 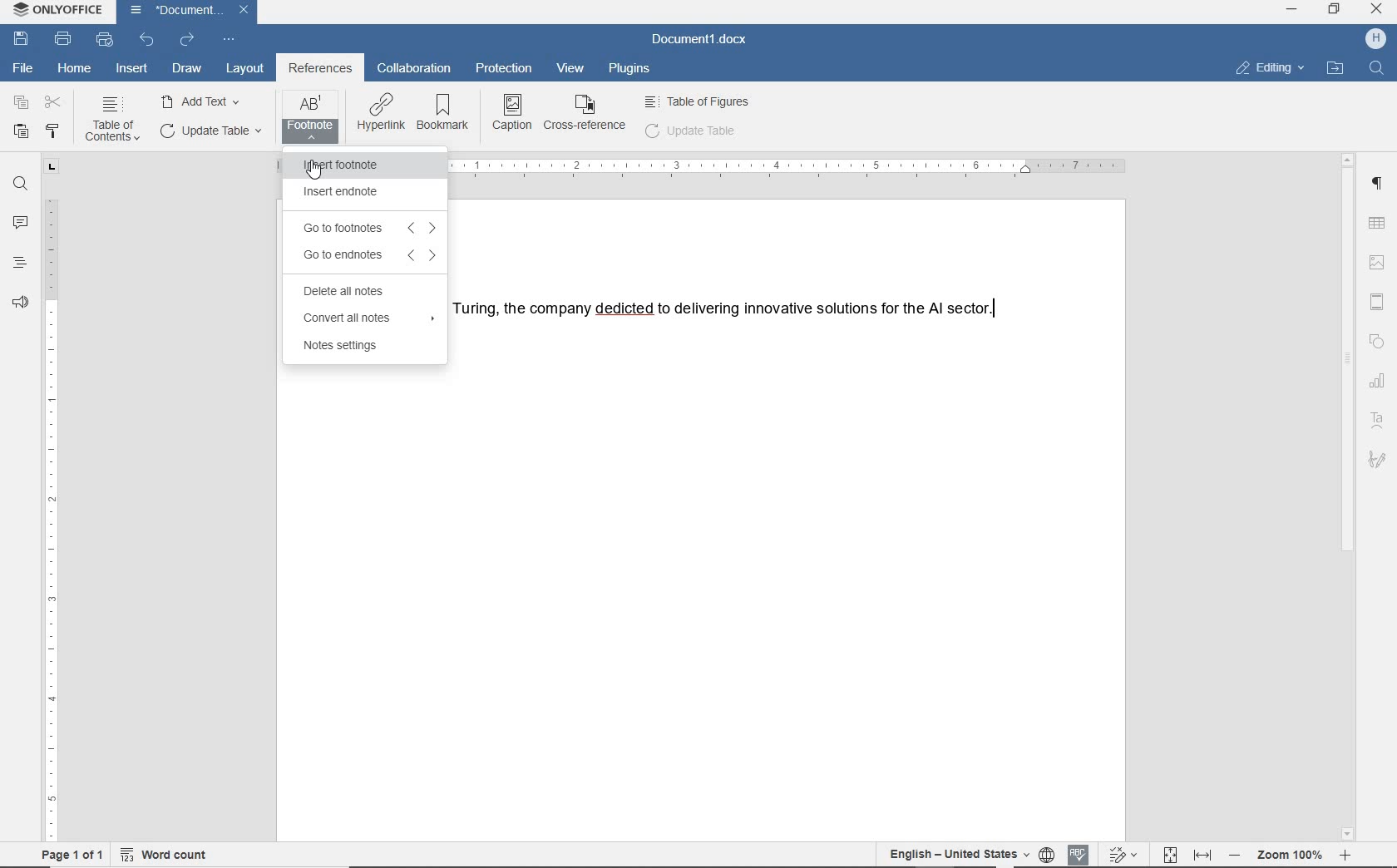 What do you see at coordinates (1376, 11) in the screenshot?
I see `CLOSE` at bounding box center [1376, 11].